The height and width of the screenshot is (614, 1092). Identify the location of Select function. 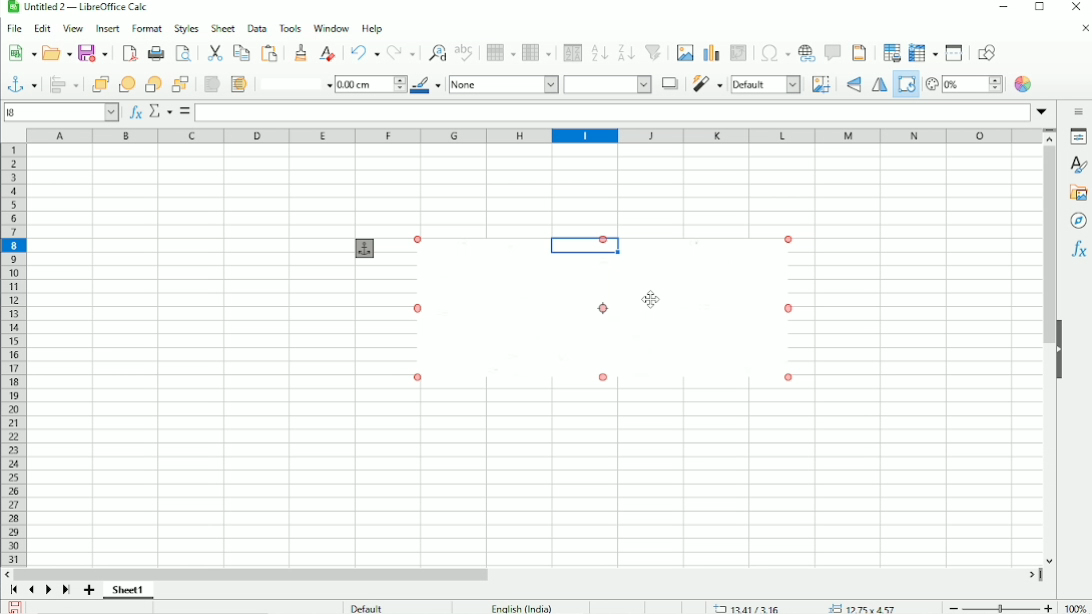
(159, 111).